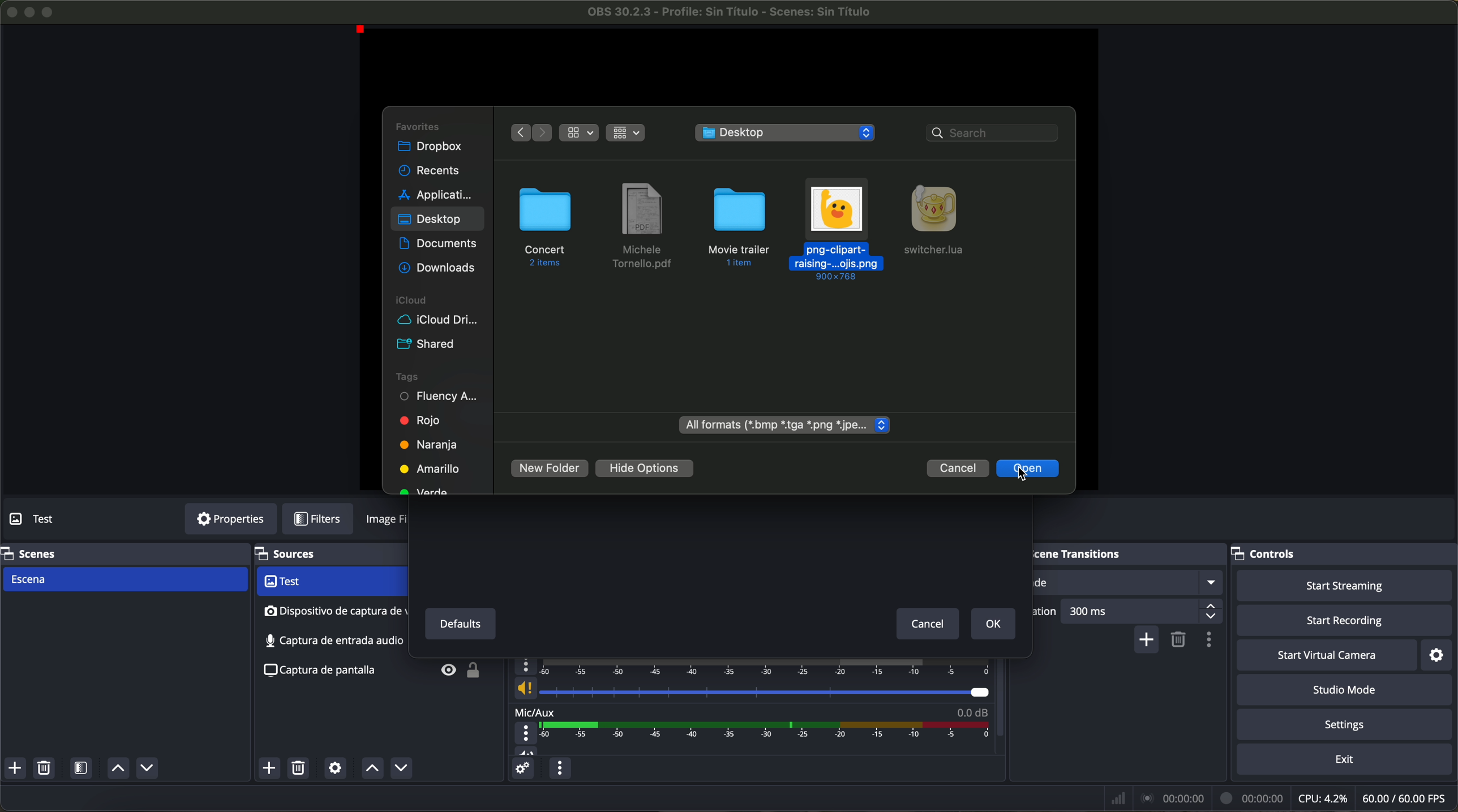  I want to click on folder, so click(737, 227).